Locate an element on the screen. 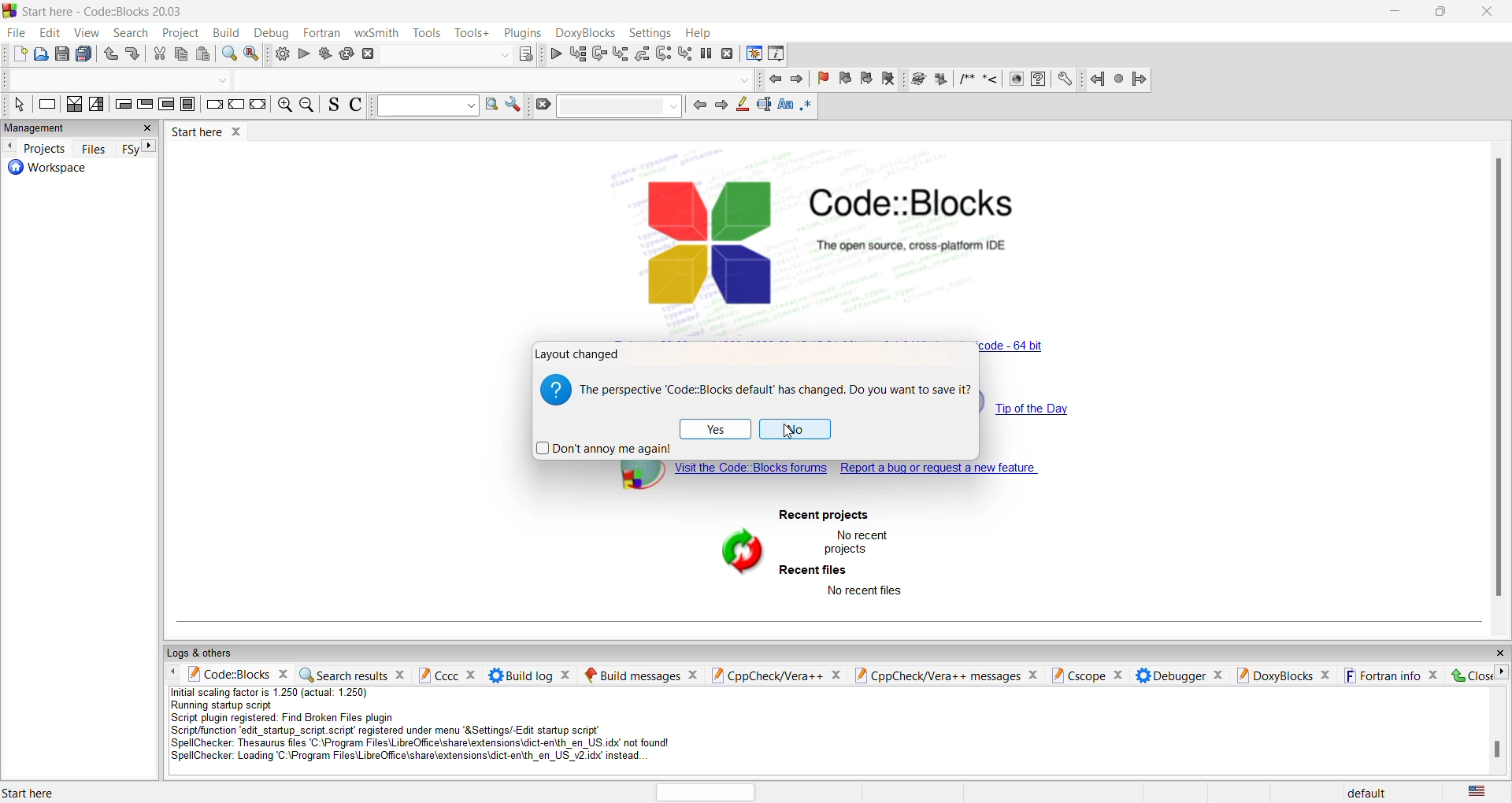 The width and height of the screenshot is (1512, 803). settings is located at coordinates (513, 104).